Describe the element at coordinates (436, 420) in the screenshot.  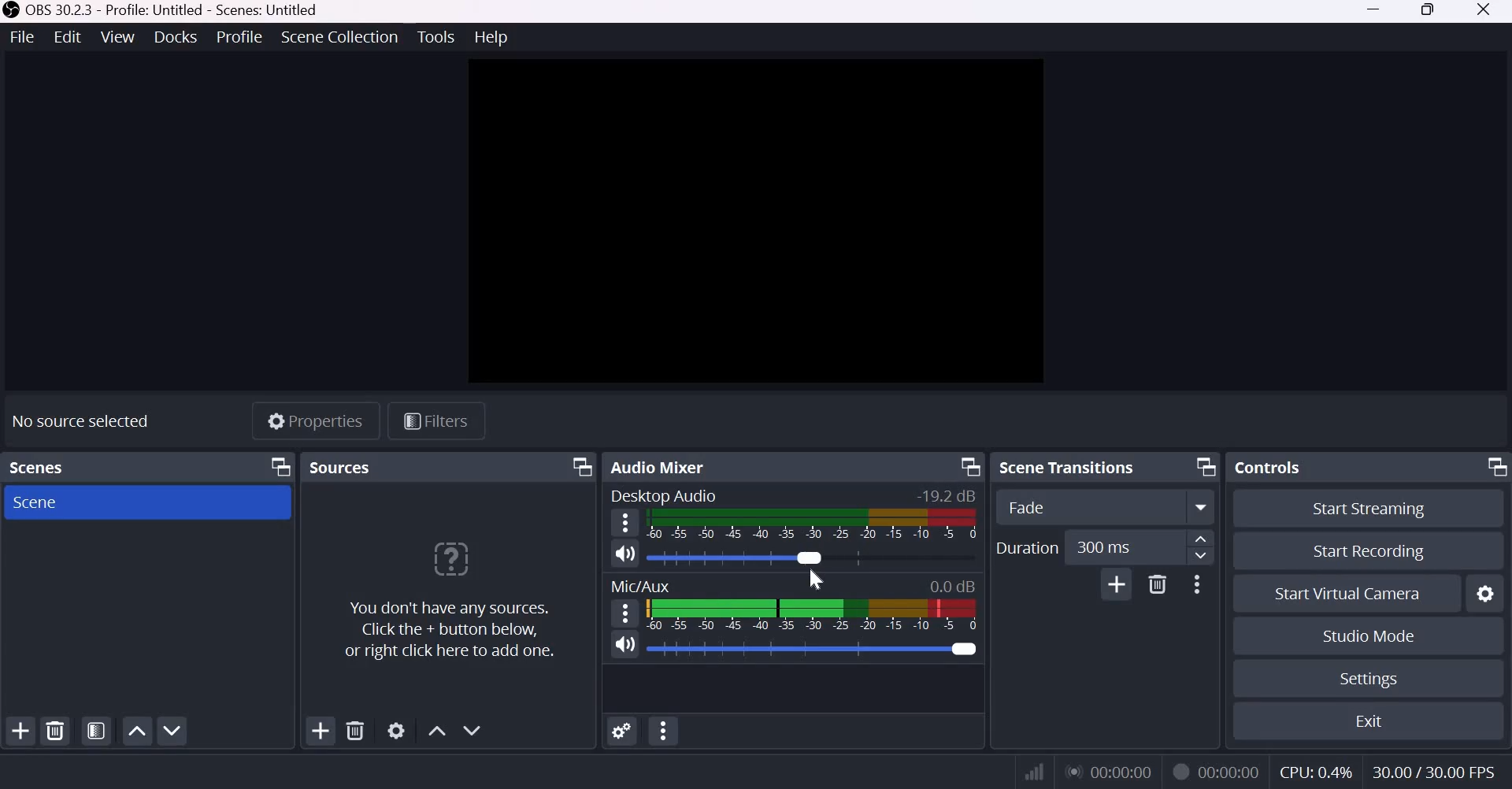
I see `Open source filters` at that location.